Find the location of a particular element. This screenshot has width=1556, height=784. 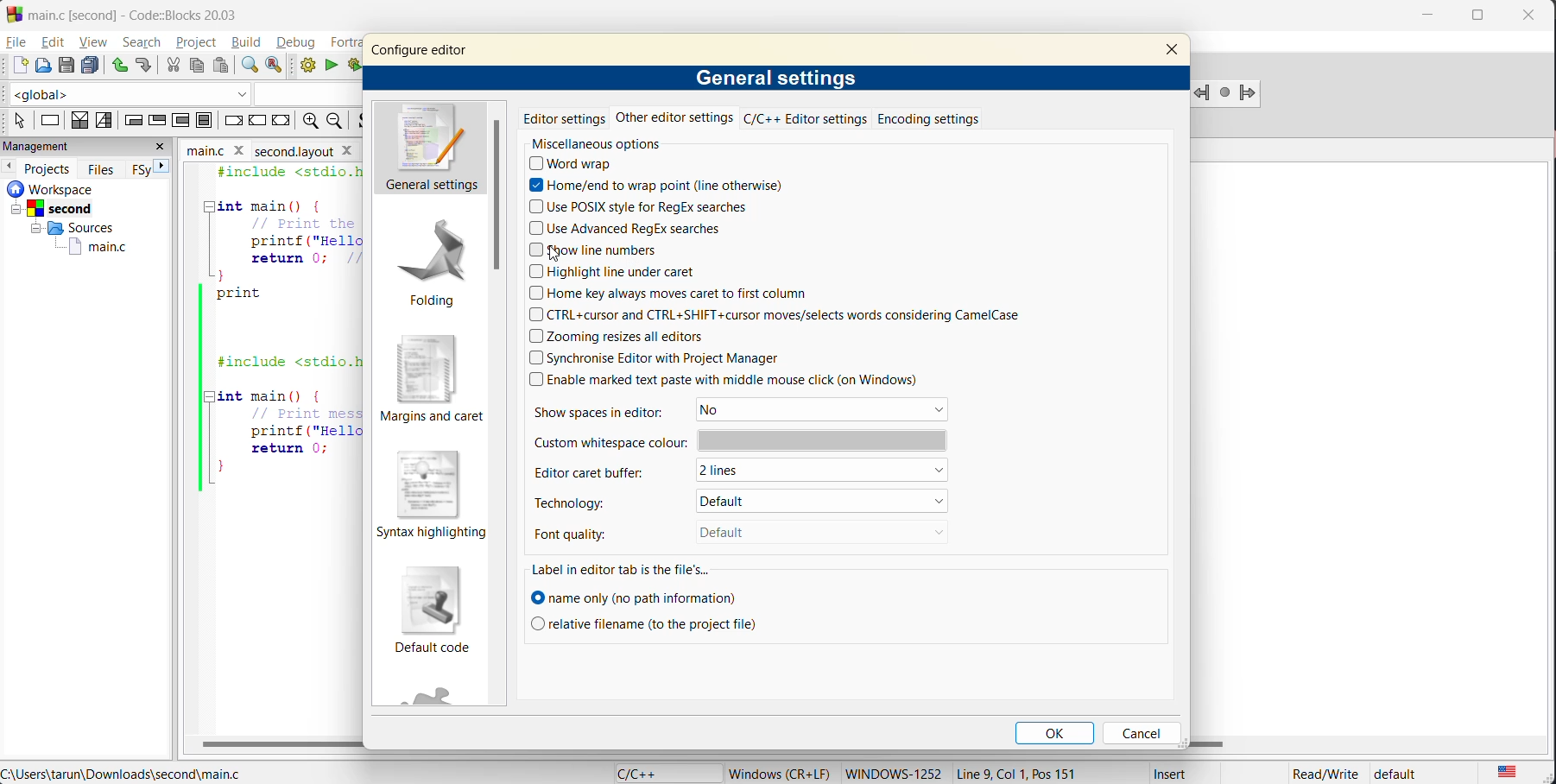

decision is located at coordinates (79, 121).